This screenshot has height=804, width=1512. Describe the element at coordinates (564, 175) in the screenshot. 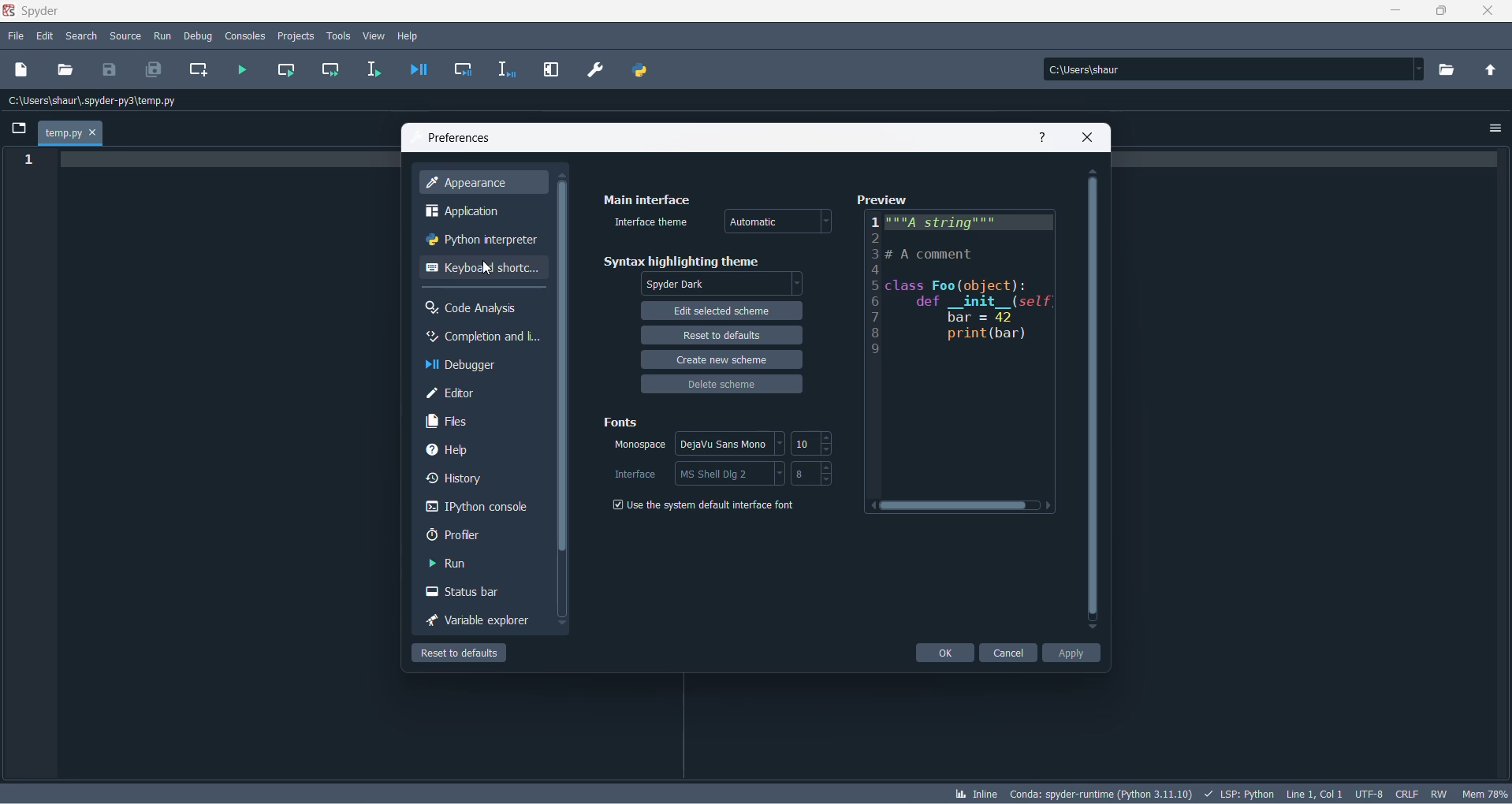

I see `move up` at that location.